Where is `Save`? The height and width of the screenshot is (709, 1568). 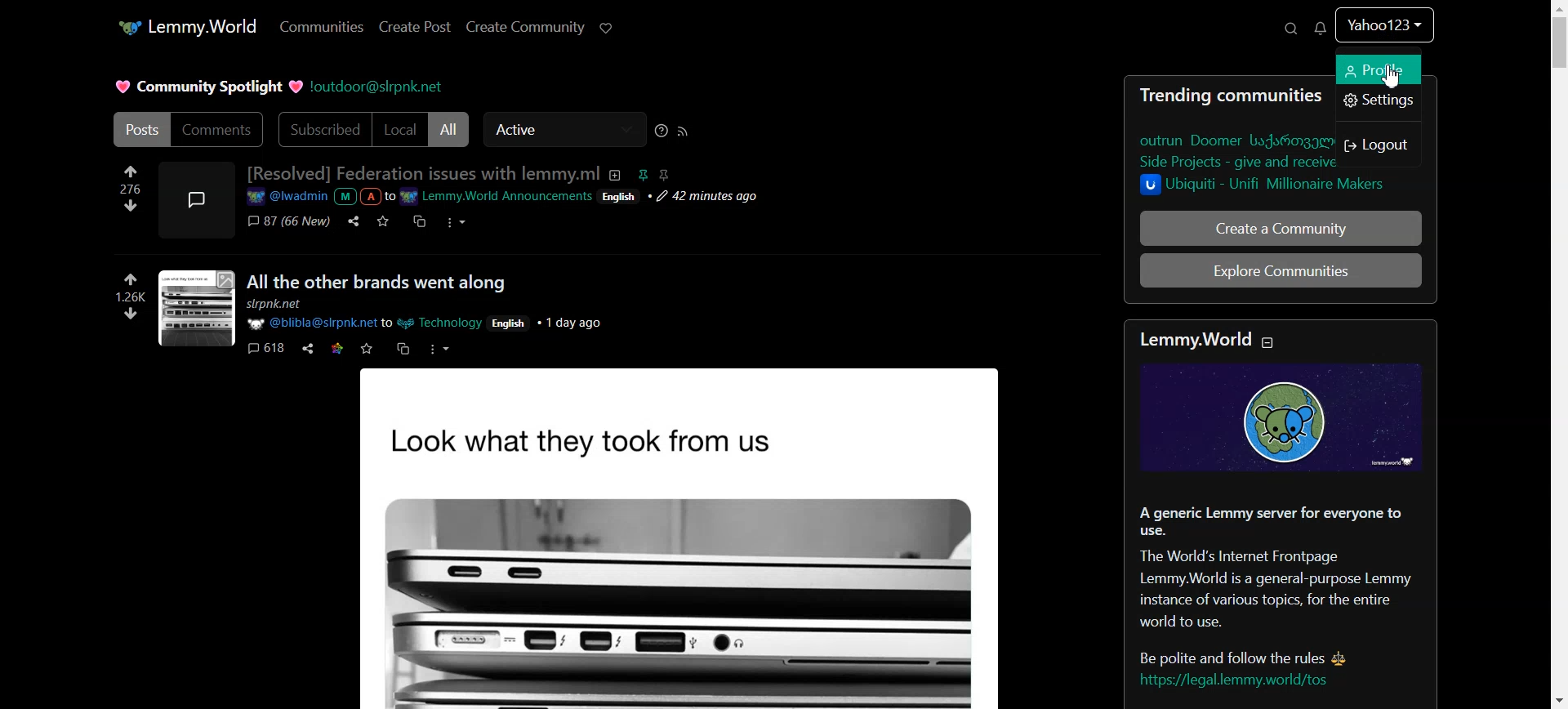 Save is located at coordinates (381, 221).